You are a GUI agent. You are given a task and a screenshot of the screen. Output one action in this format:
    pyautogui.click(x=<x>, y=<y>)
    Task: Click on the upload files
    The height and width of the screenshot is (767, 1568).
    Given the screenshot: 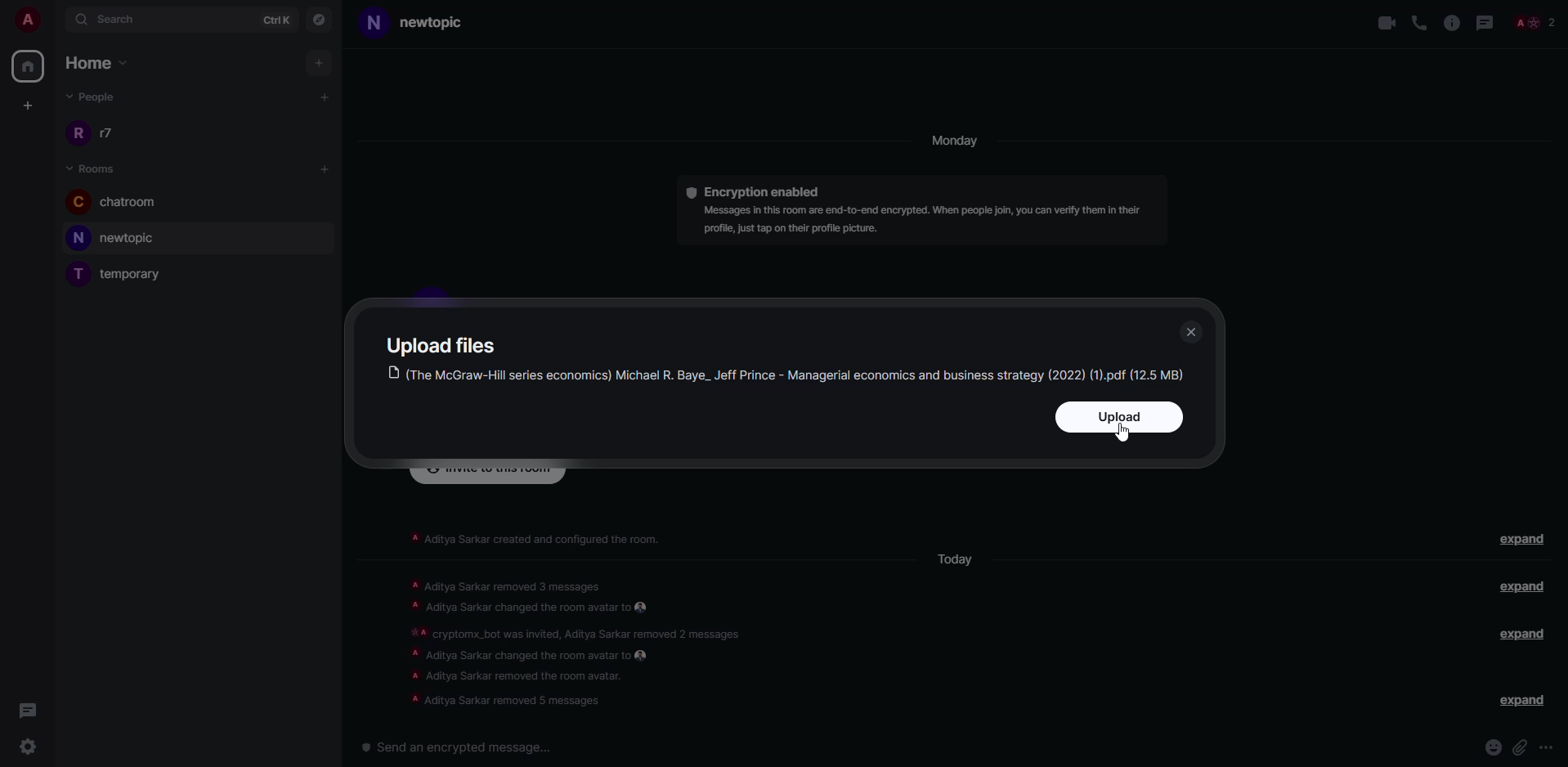 What is the action you would take?
    pyautogui.click(x=446, y=343)
    